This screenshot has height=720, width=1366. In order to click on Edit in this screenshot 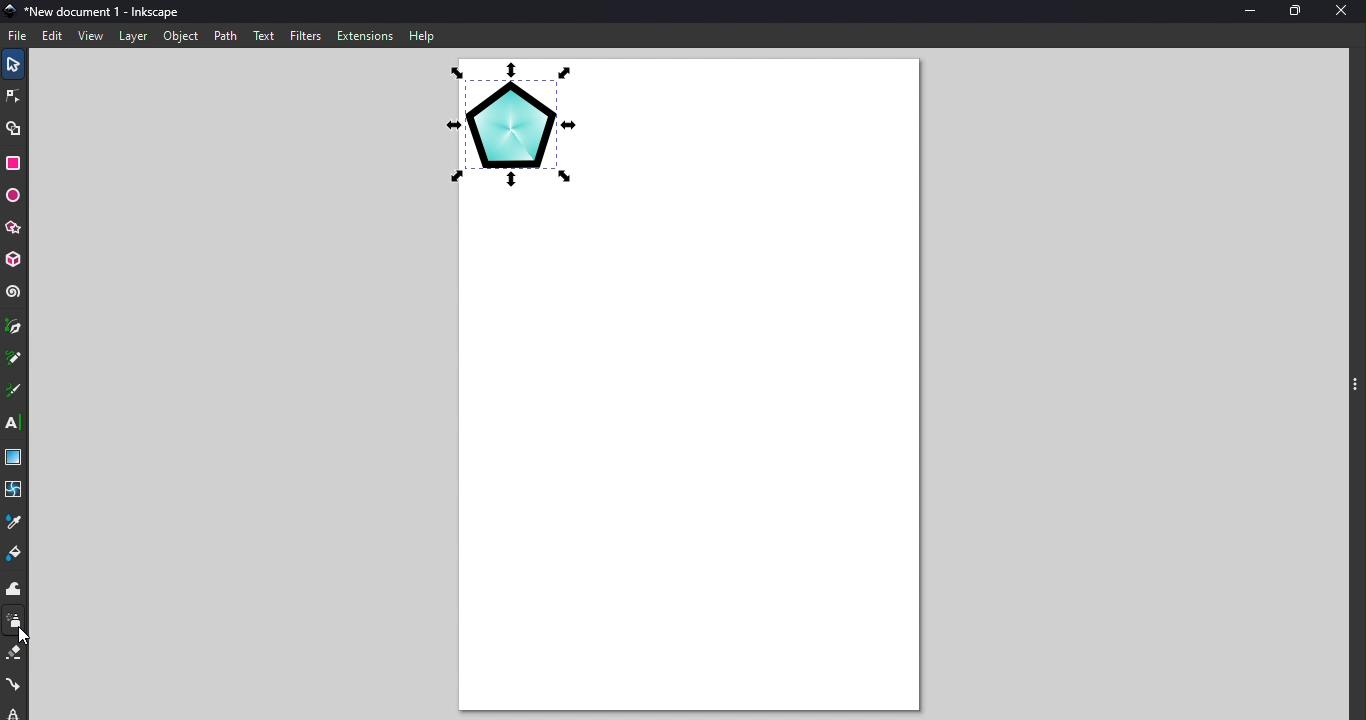, I will do `click(50, 35)`.